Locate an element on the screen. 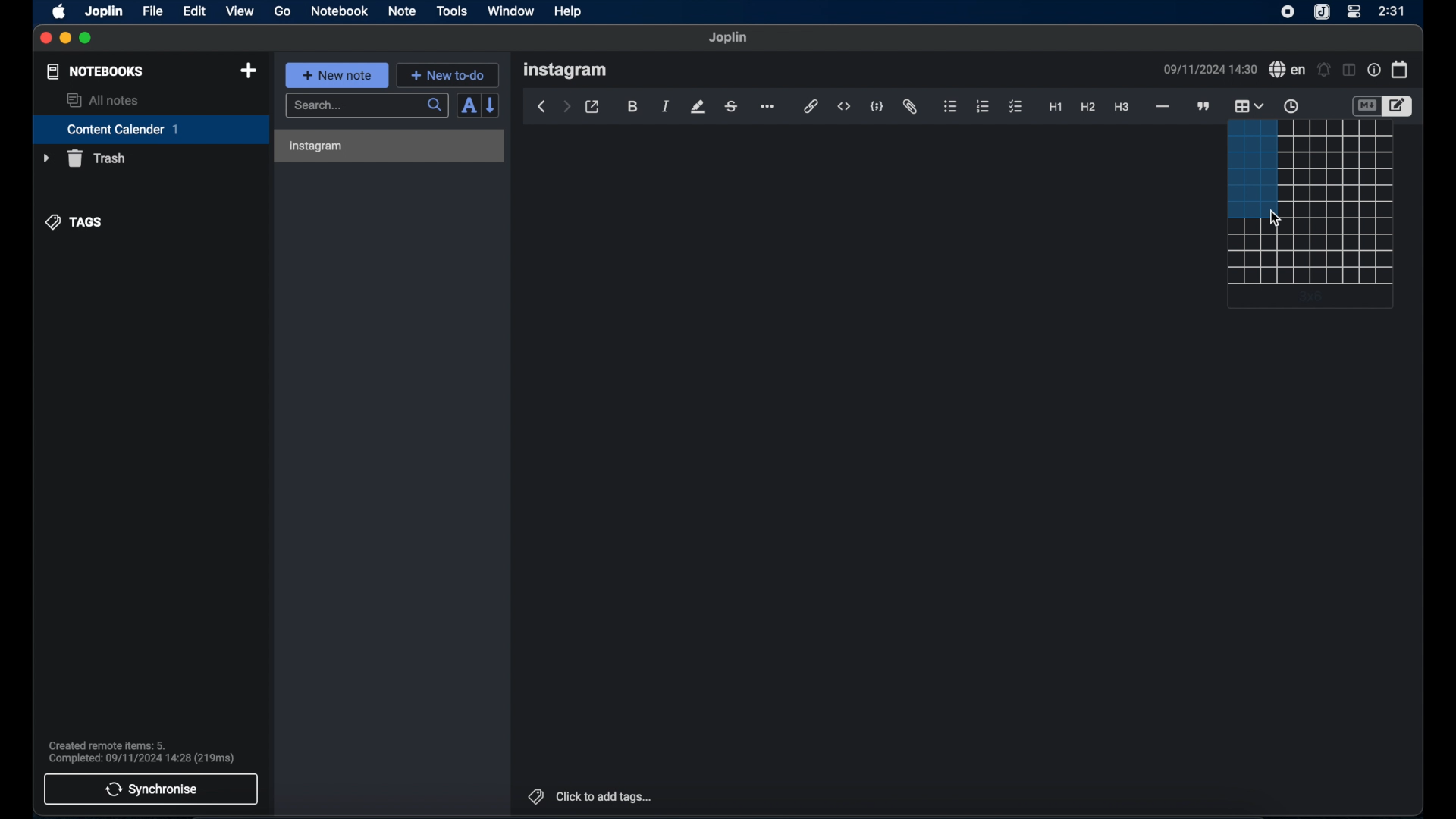 The width and height of the screenshot is (1456, 819). insert time is located at coordinates (1292, 106).